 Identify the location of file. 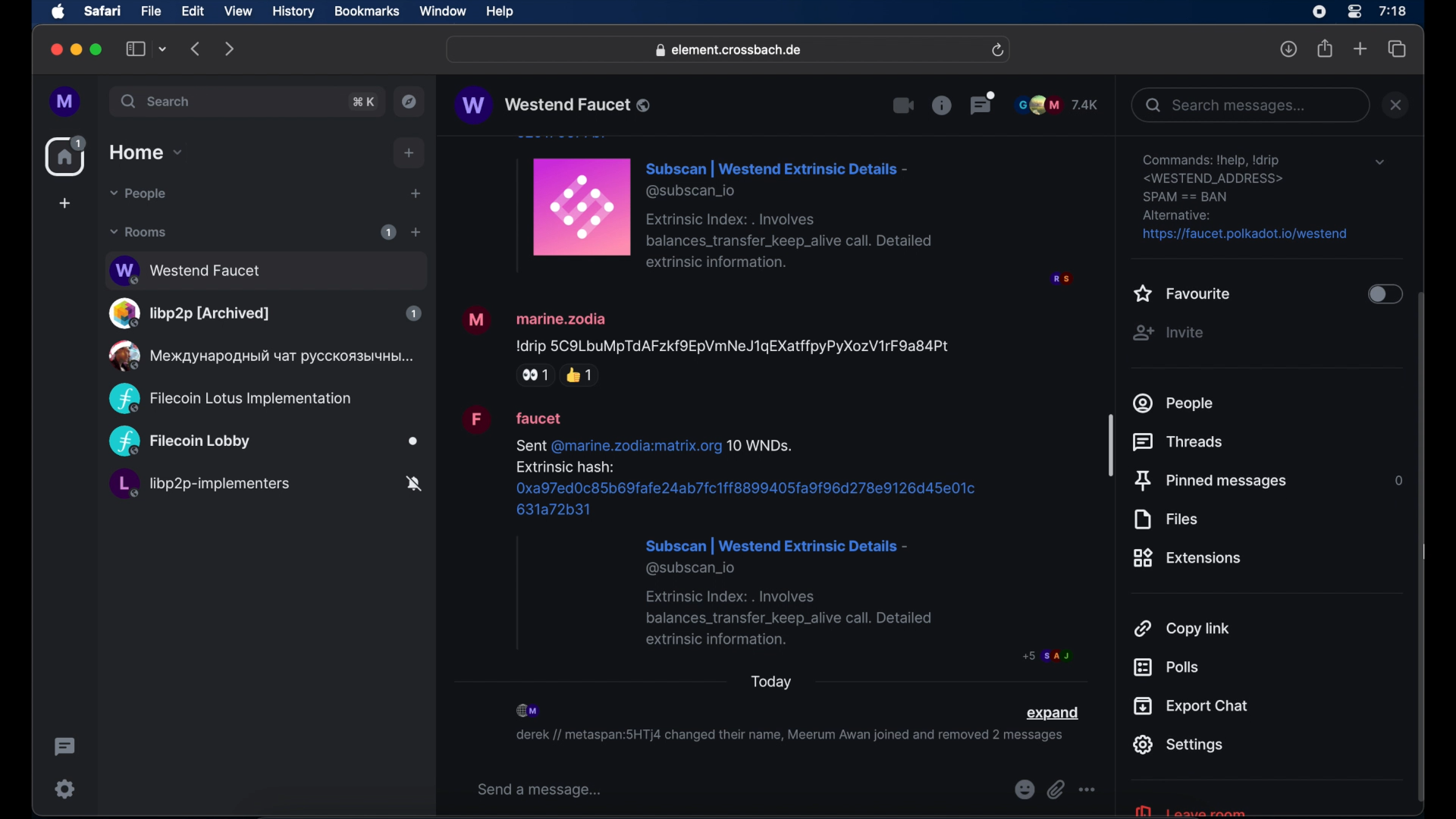
(151, 11).